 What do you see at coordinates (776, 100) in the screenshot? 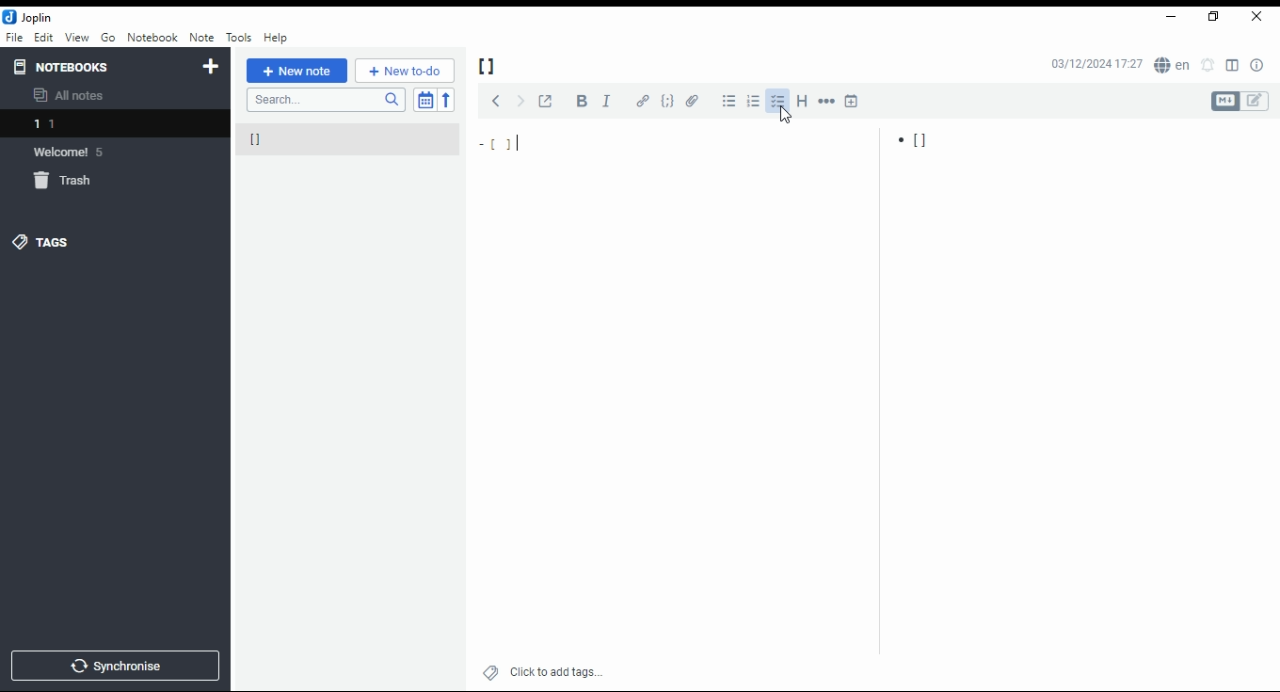
I see `checkbox list` at bounding box center [776, 100].